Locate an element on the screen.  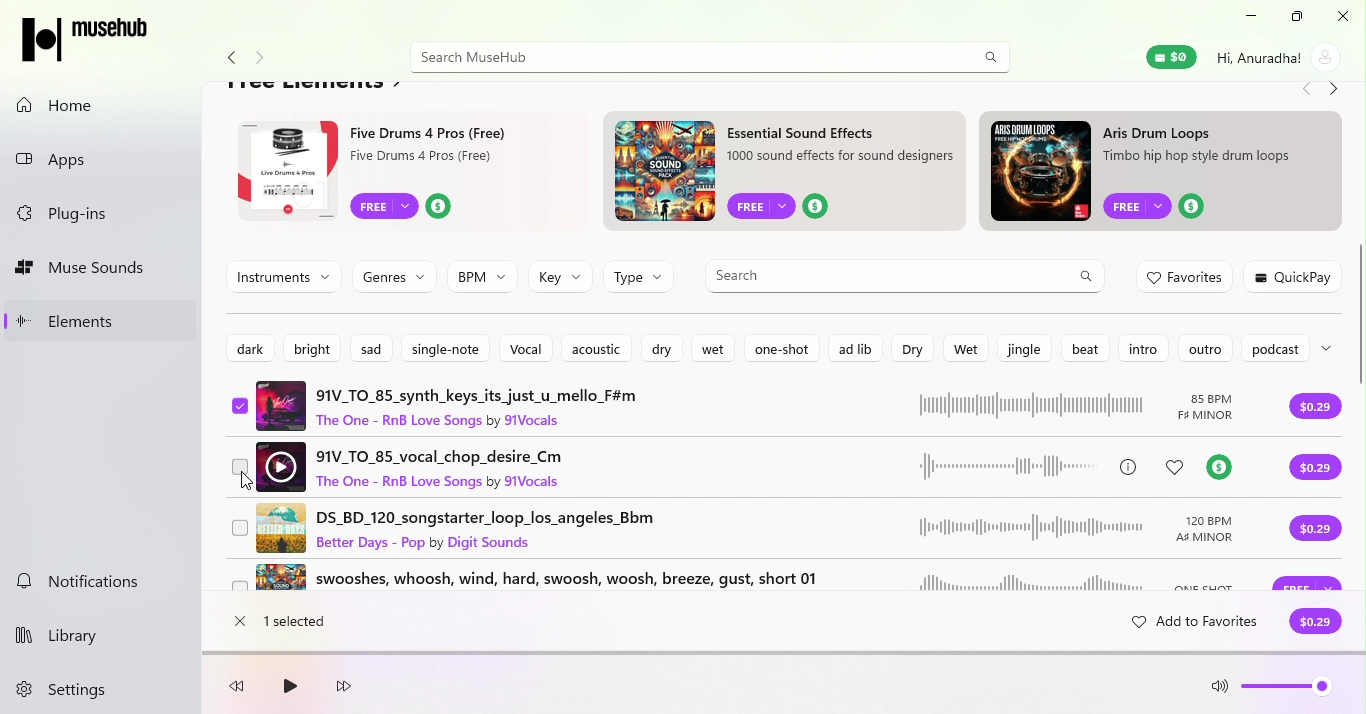
Type is located at coordinates (640, 282).